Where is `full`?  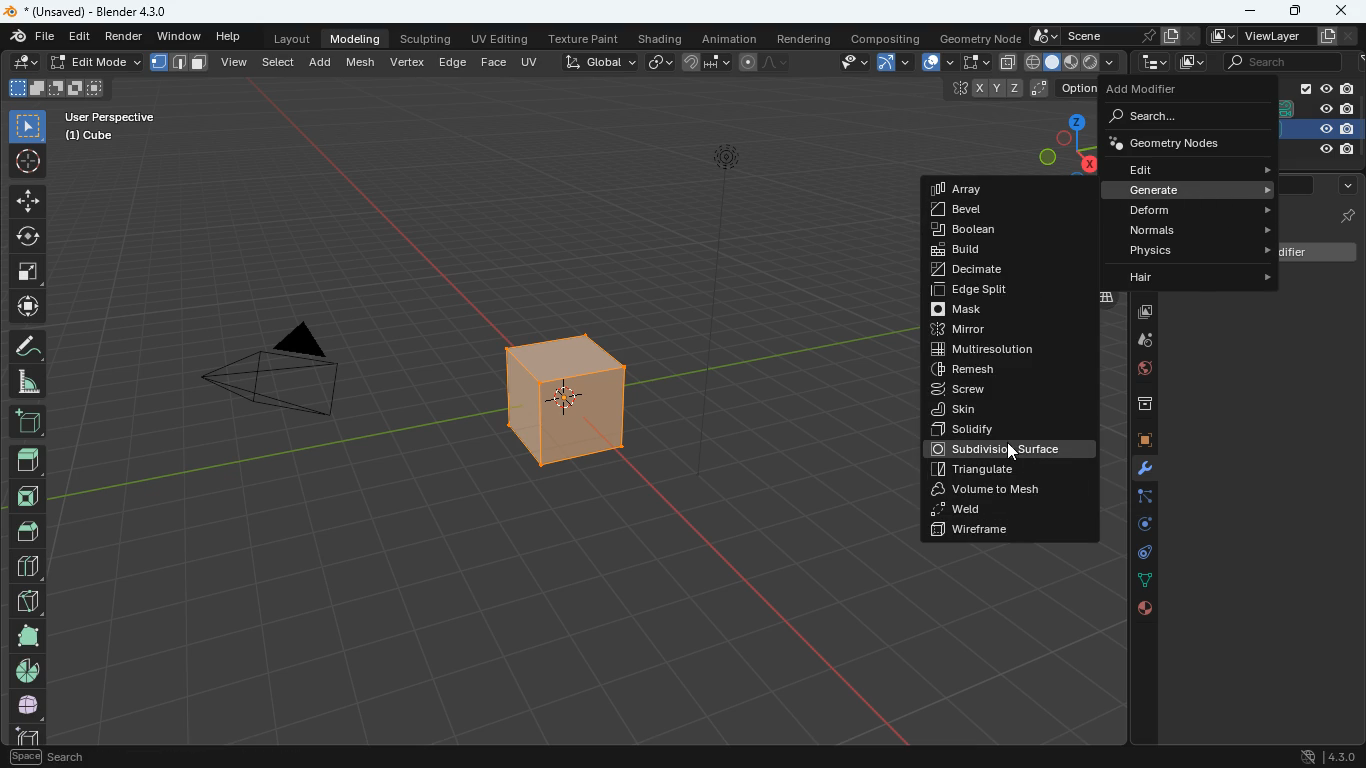 full is located at coordinates (26, 636).